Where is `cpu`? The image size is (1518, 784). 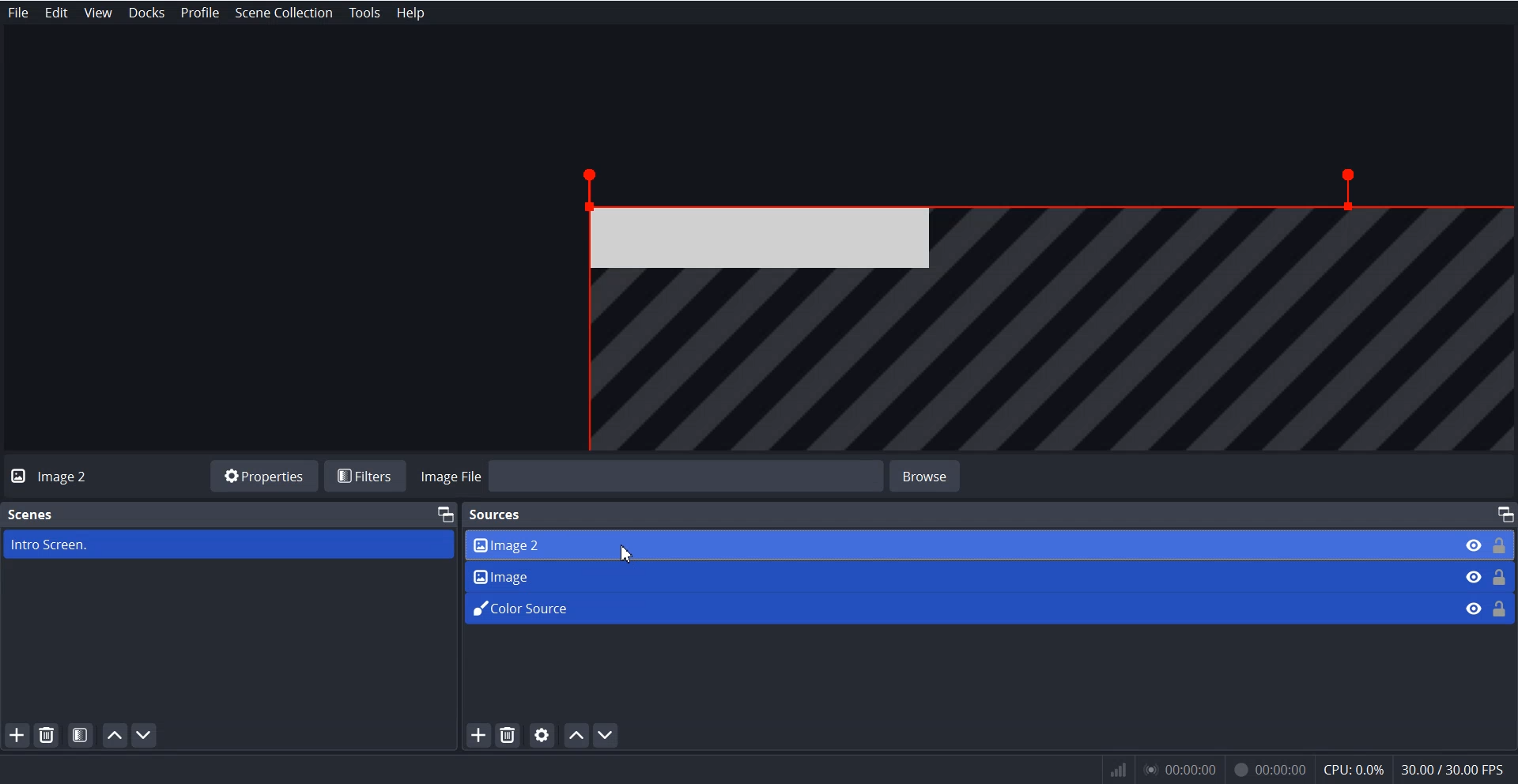
cpu is located at coordinates (1353, 767).